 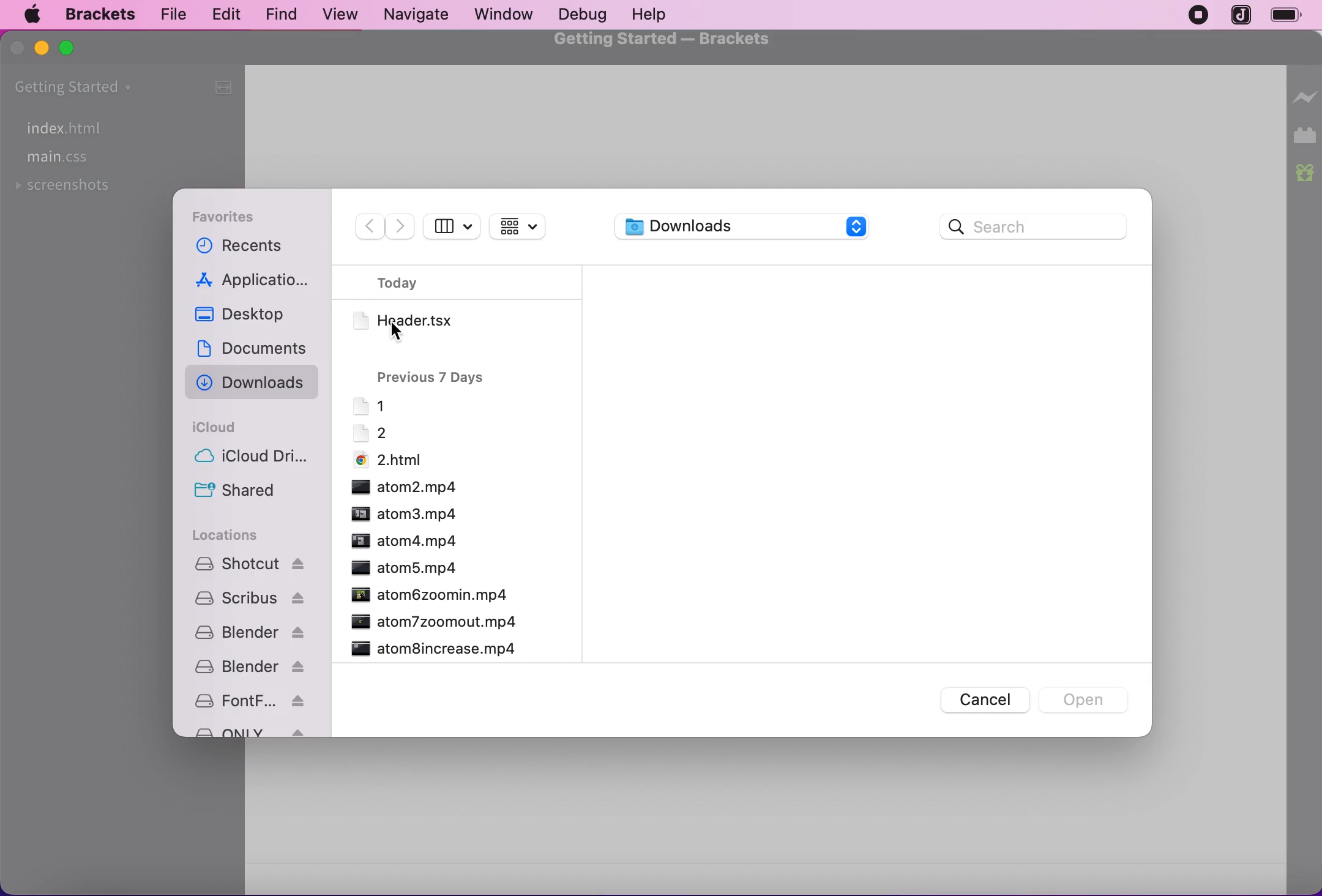 I want to click on cursor, so click(x=398, y=335).